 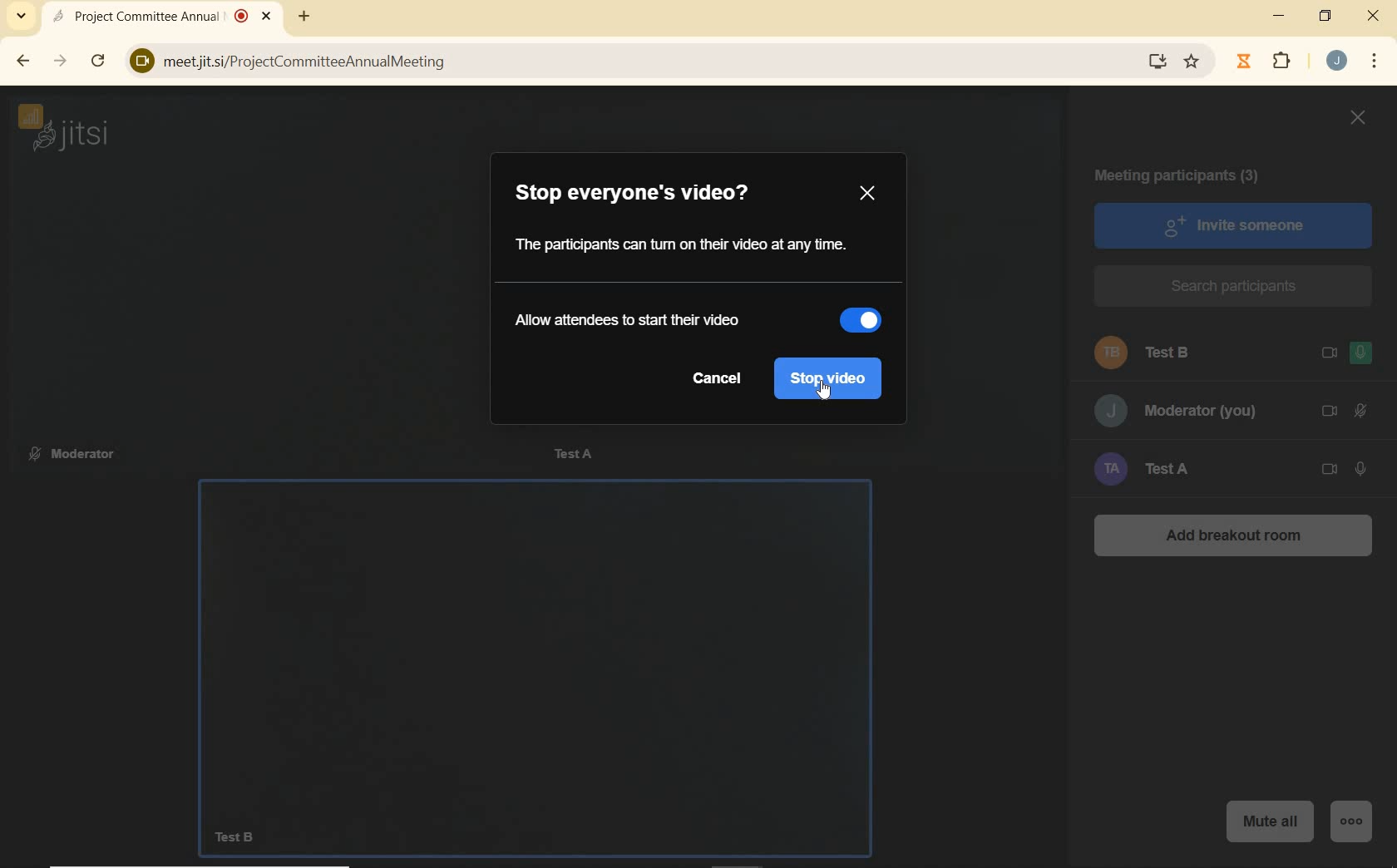 What do you see at coordinates (22, 19) in the screenshot?
I see `SEARCH TABS` at bounding box center [22, 19].